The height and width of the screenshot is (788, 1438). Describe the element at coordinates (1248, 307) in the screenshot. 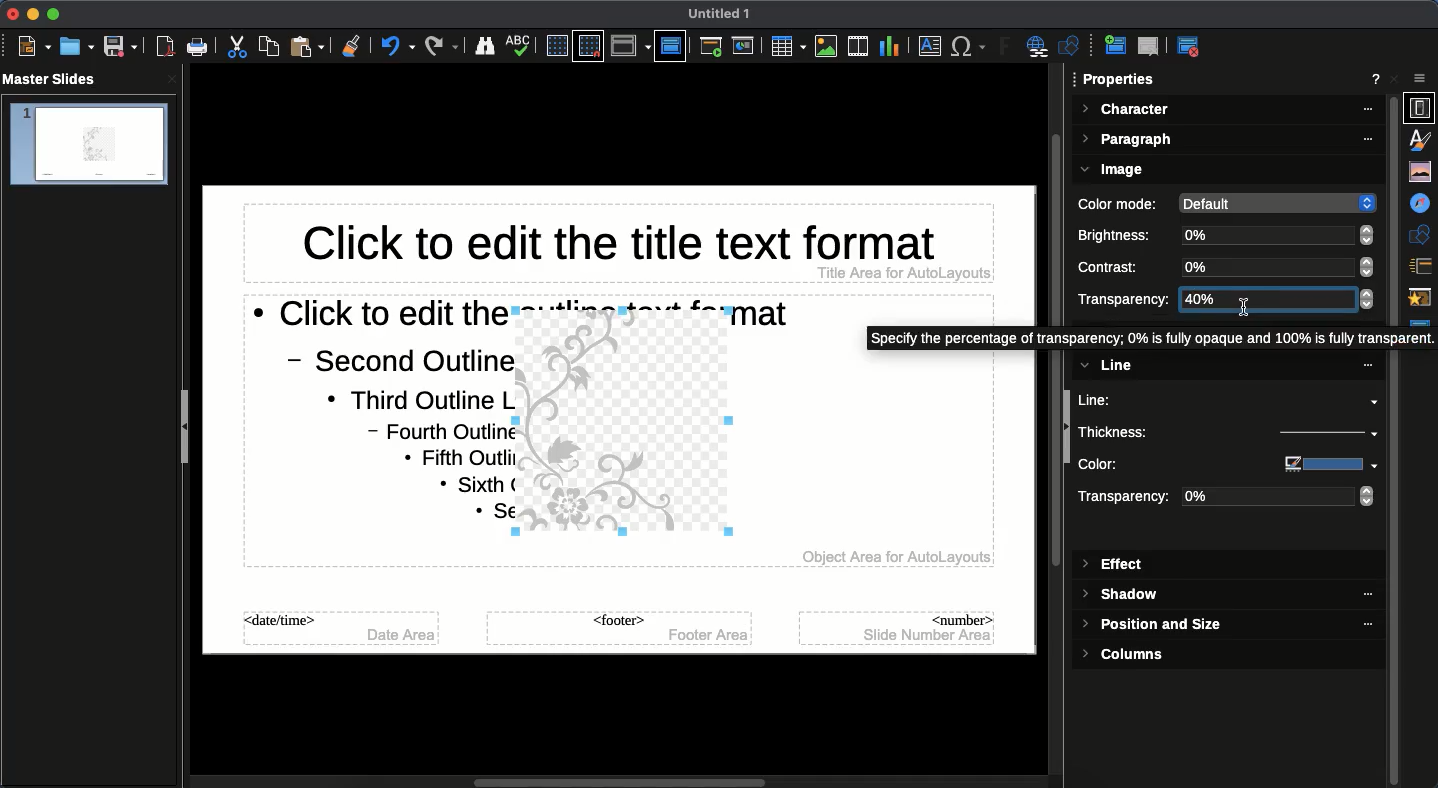

I see `text cursor` at that location.